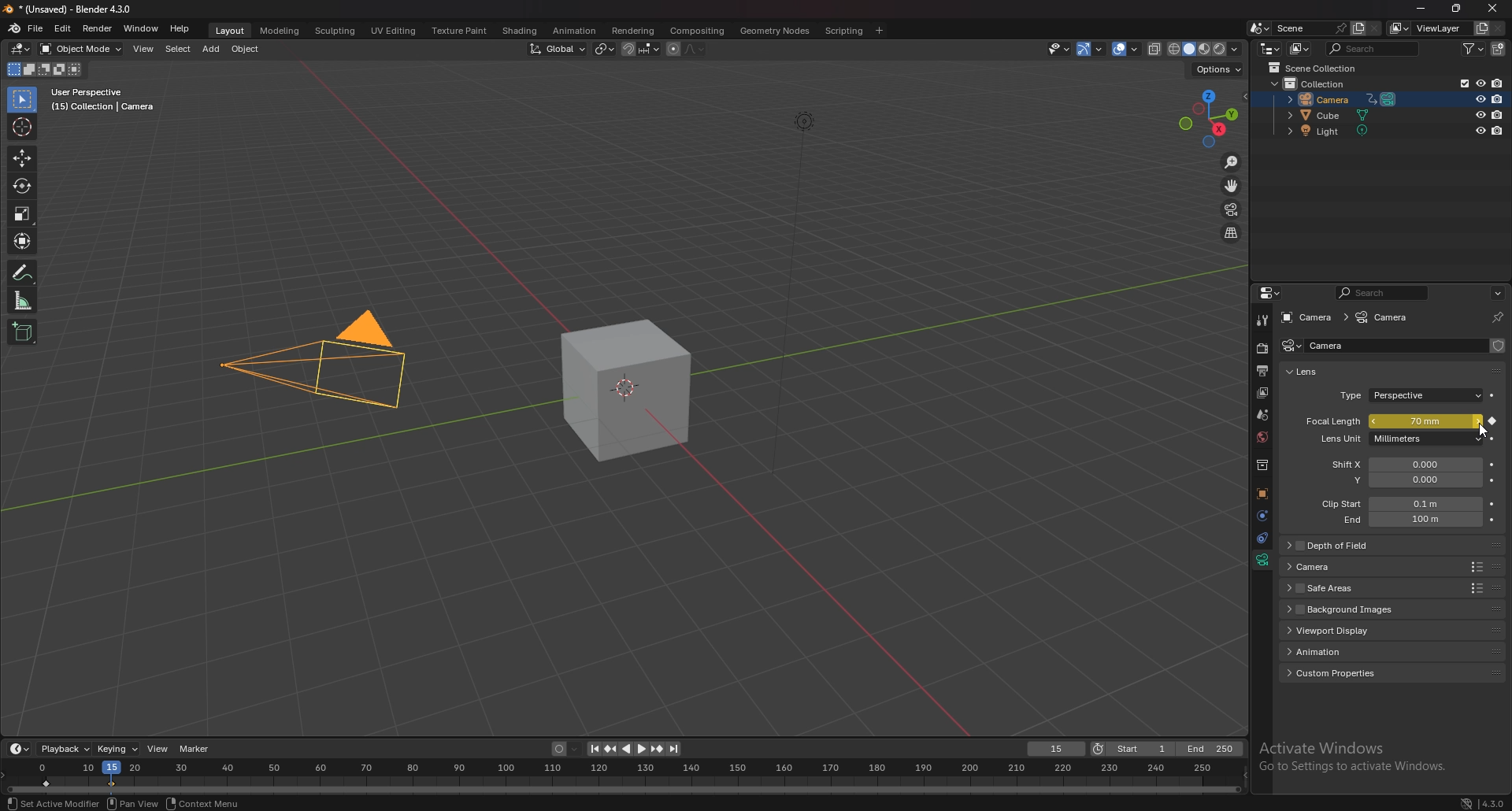 Image resolution: width=1512 pixels, height=811 pixels. Describe the element at coordinates (246, 50) in the screenshot. I see `object` at that location.